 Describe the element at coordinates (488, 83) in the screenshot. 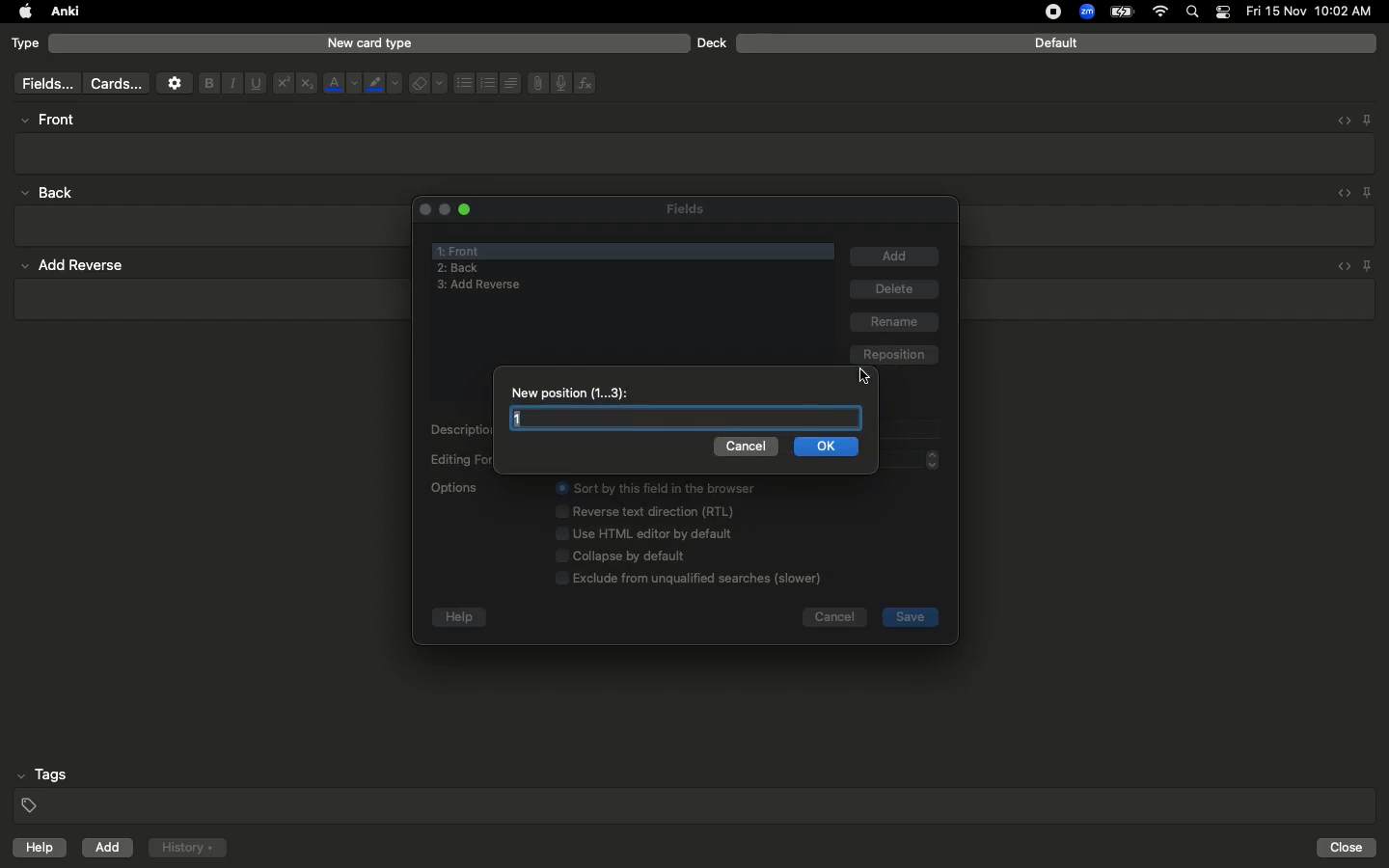

I see `Numbered bullets` at that location.